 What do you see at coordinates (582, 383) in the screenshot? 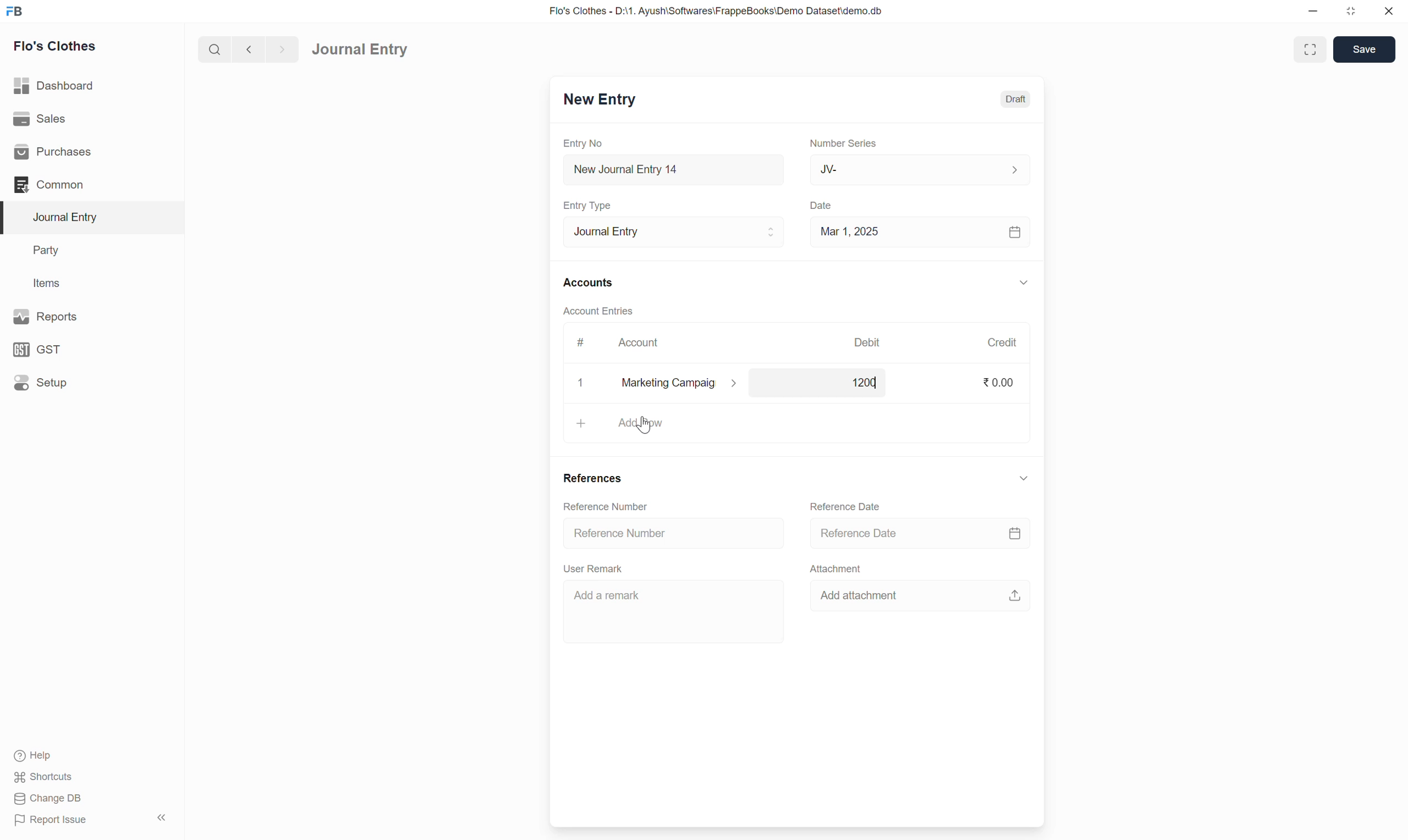
I see `x` at bounding box center [582, 383].